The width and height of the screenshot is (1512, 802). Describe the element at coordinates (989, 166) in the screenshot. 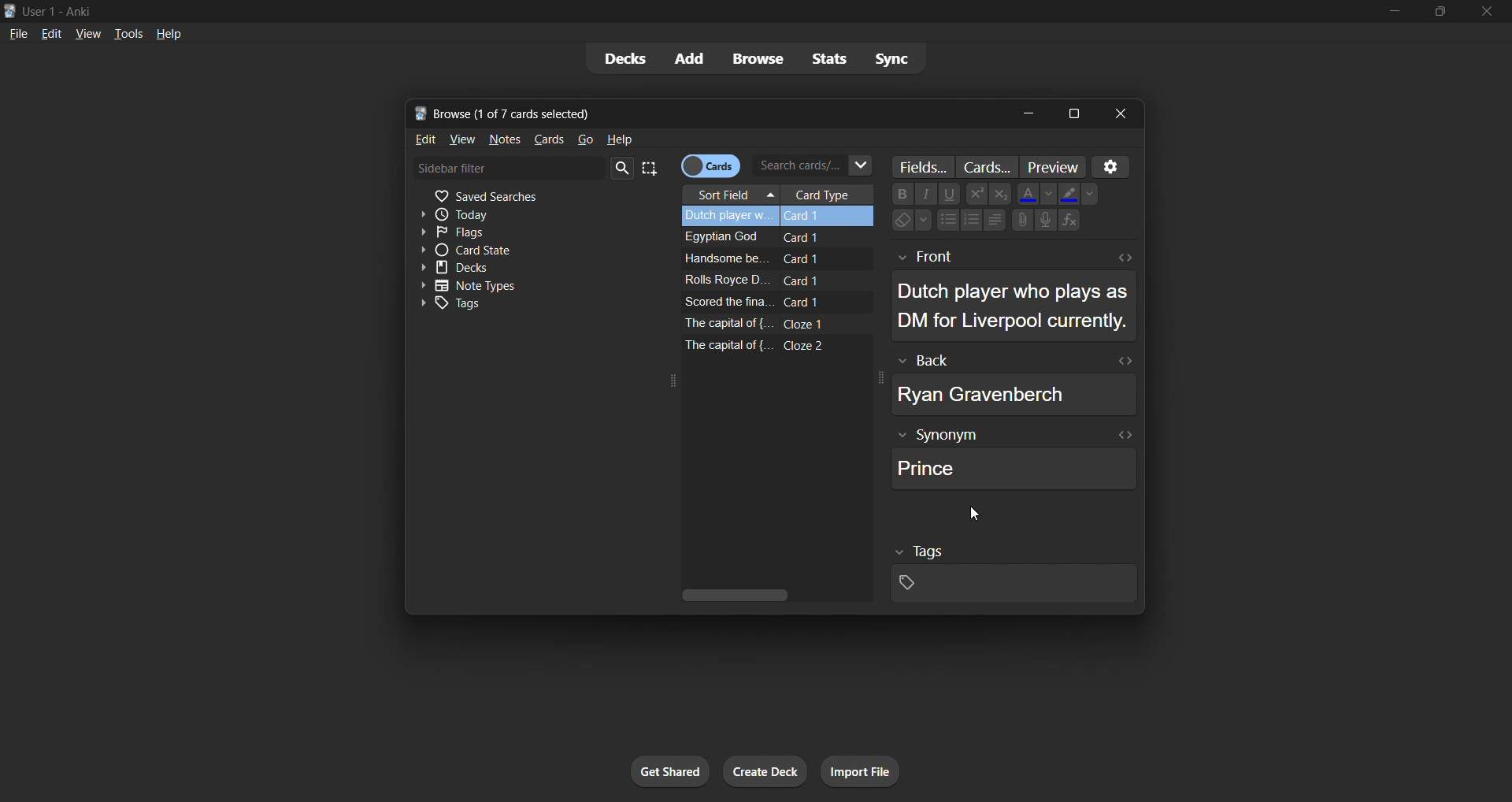

I see `customize card templates` at that location.